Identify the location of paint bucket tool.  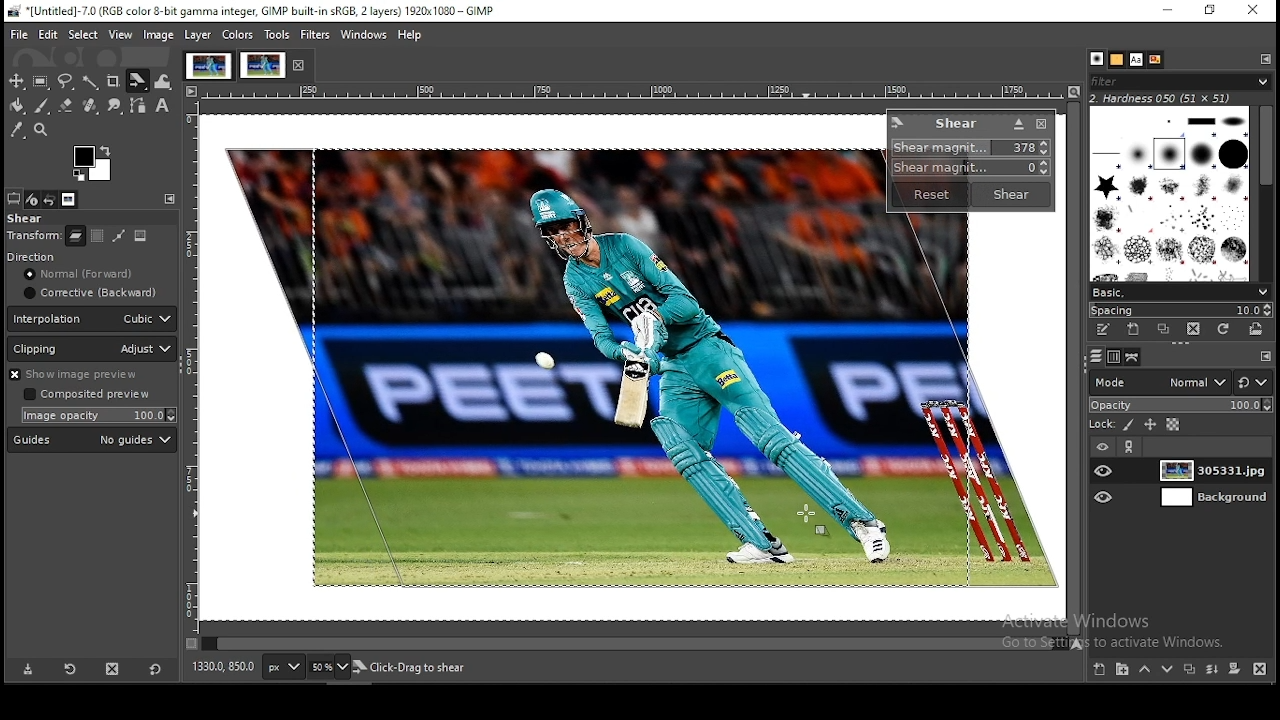
(19, 107).